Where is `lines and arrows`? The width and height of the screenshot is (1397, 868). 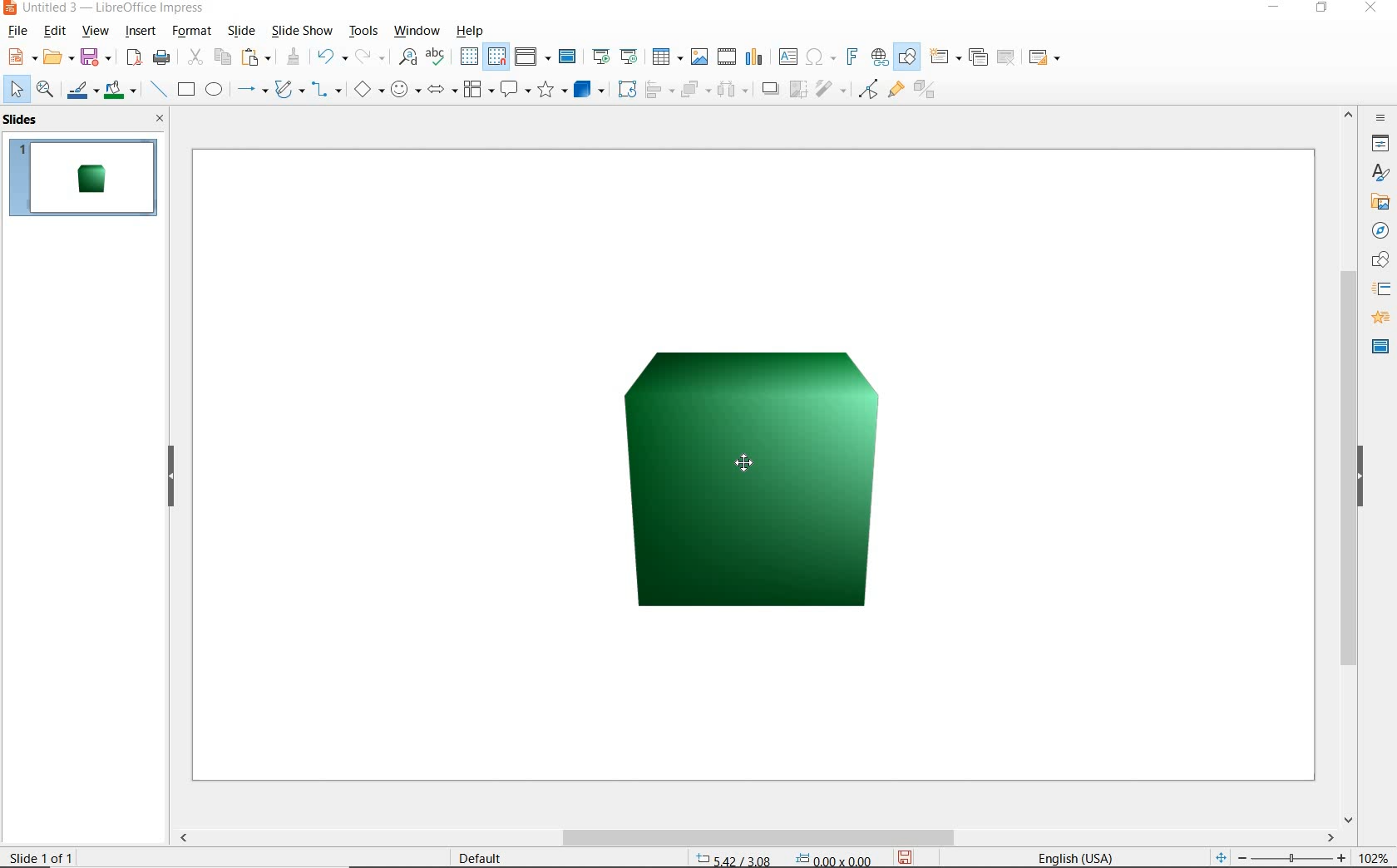 lines and arrows is located at coordinates (252, 90).